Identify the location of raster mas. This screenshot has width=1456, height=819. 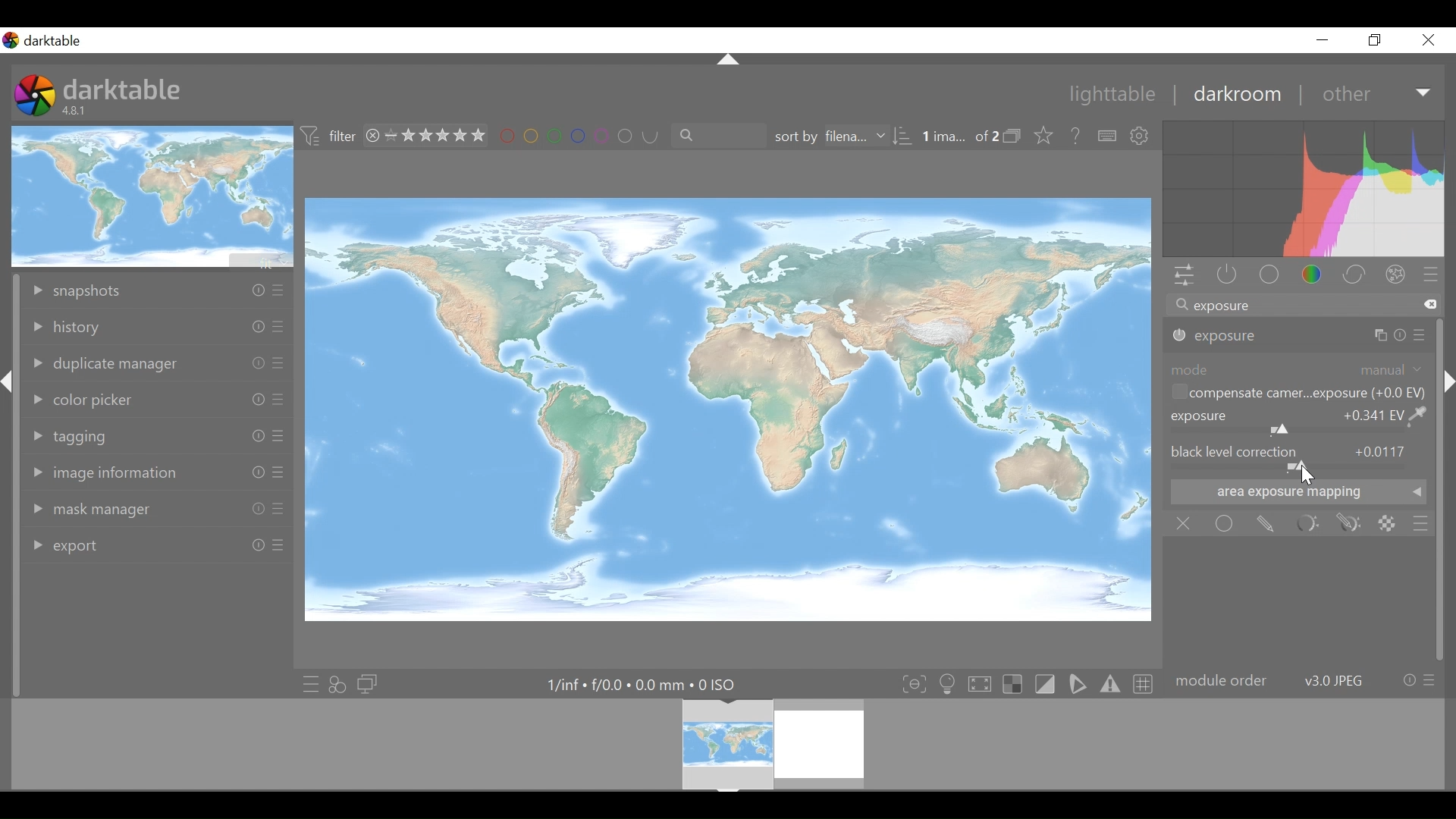
(1389, 524).